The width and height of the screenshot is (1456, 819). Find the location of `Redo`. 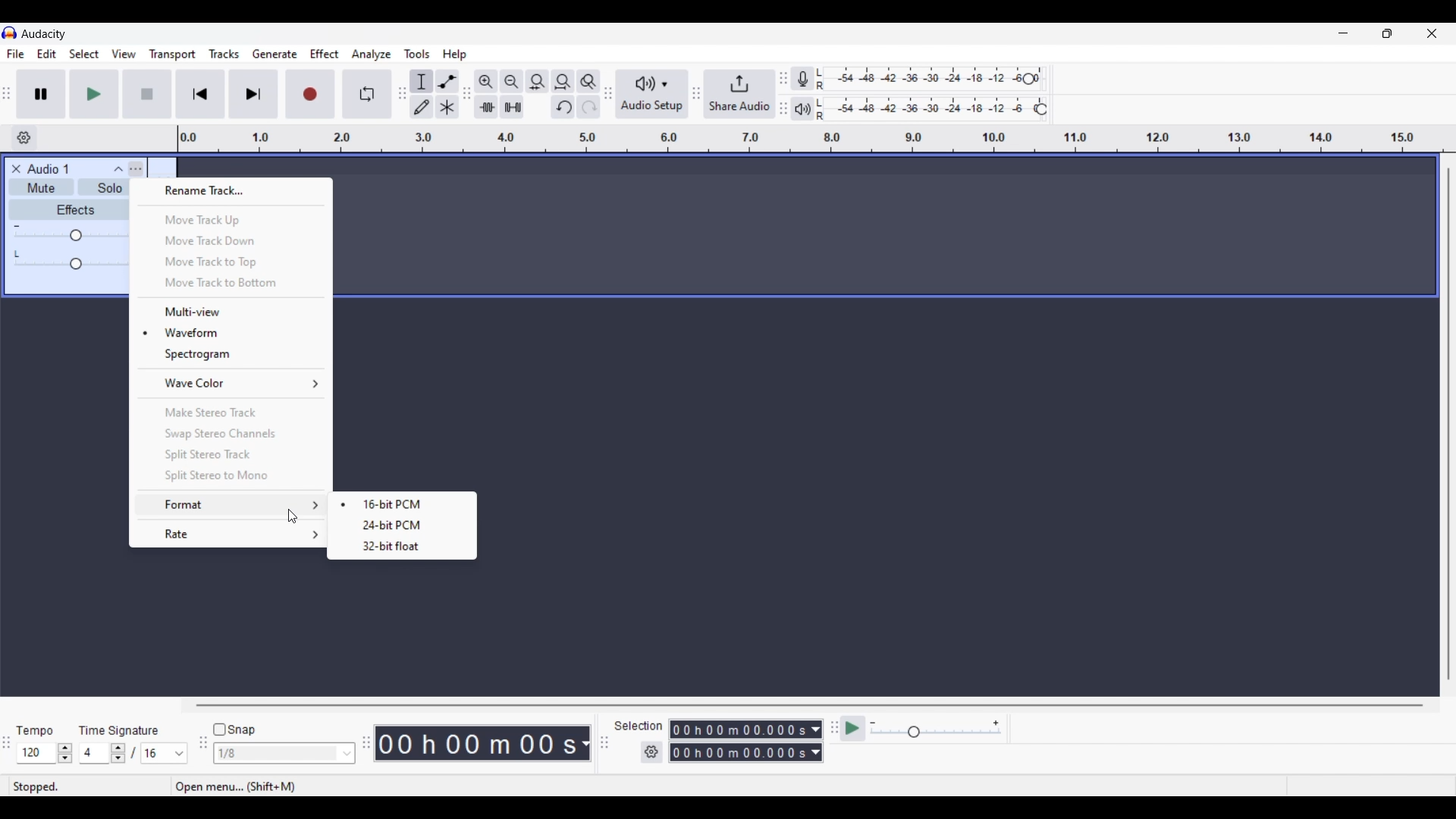

Redo is located at coordinates (588, 106).